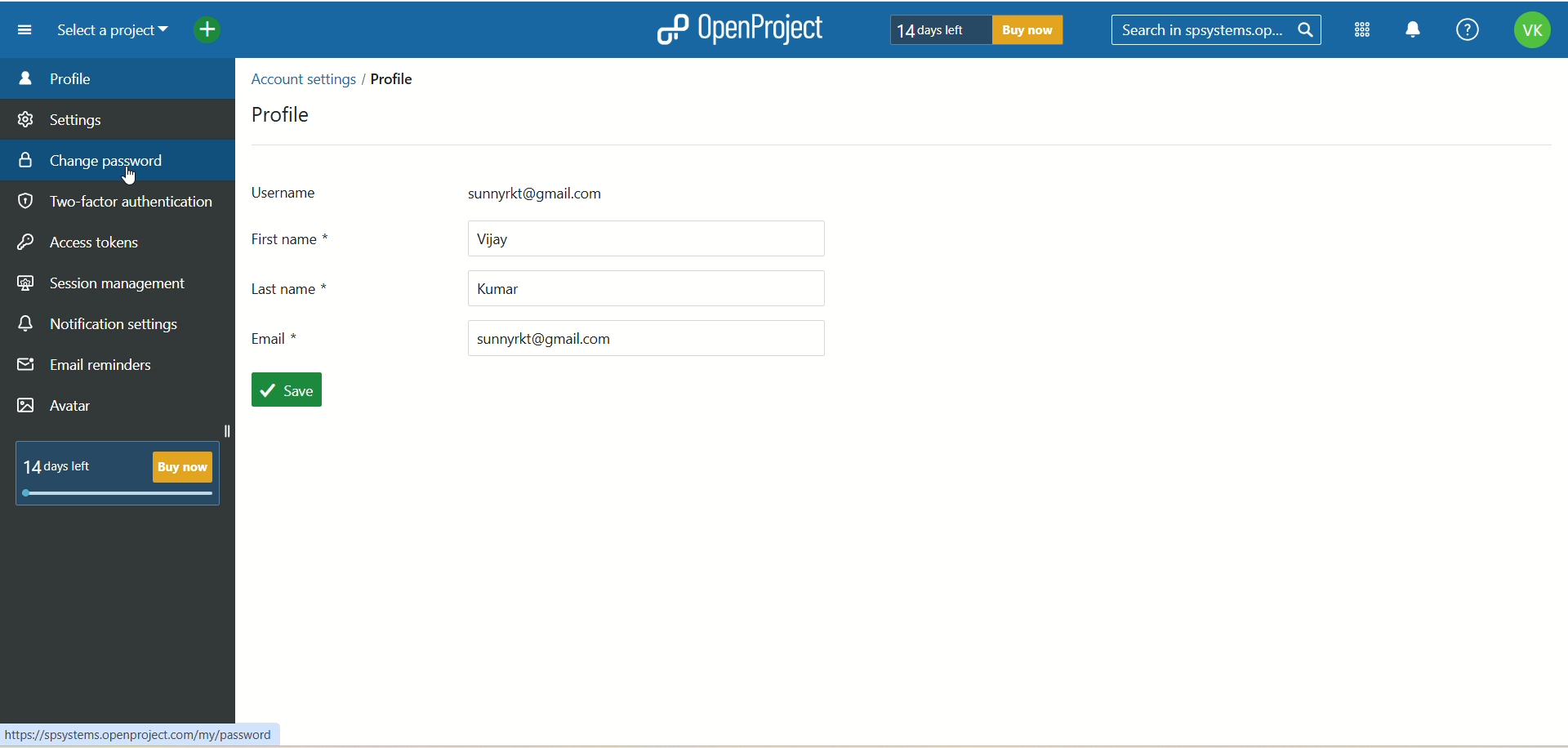  I want to click on email reminders, so click(90, 368).